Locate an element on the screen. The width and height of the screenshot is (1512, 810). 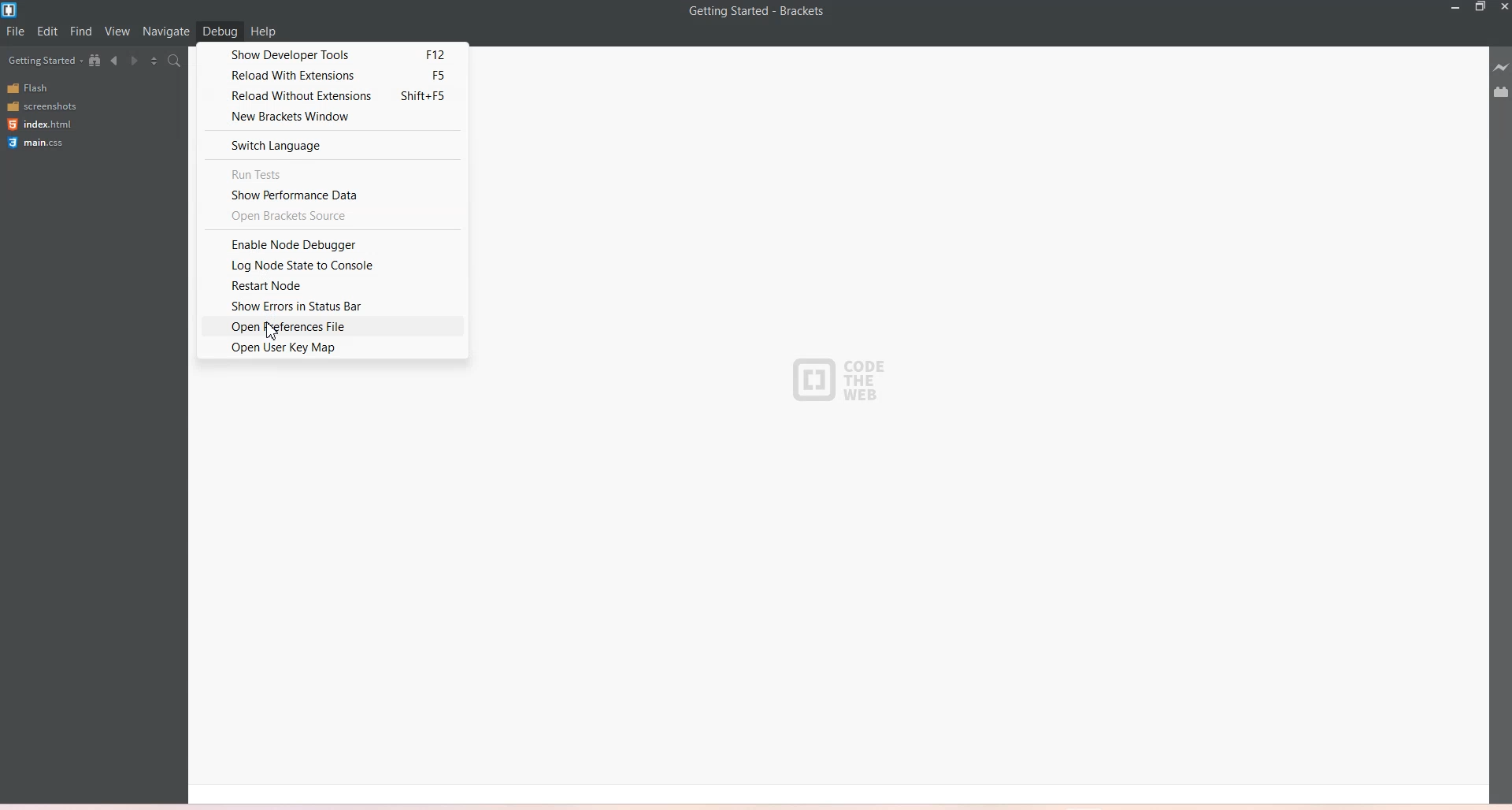
New brackets window is located at coordinates (333, 117).